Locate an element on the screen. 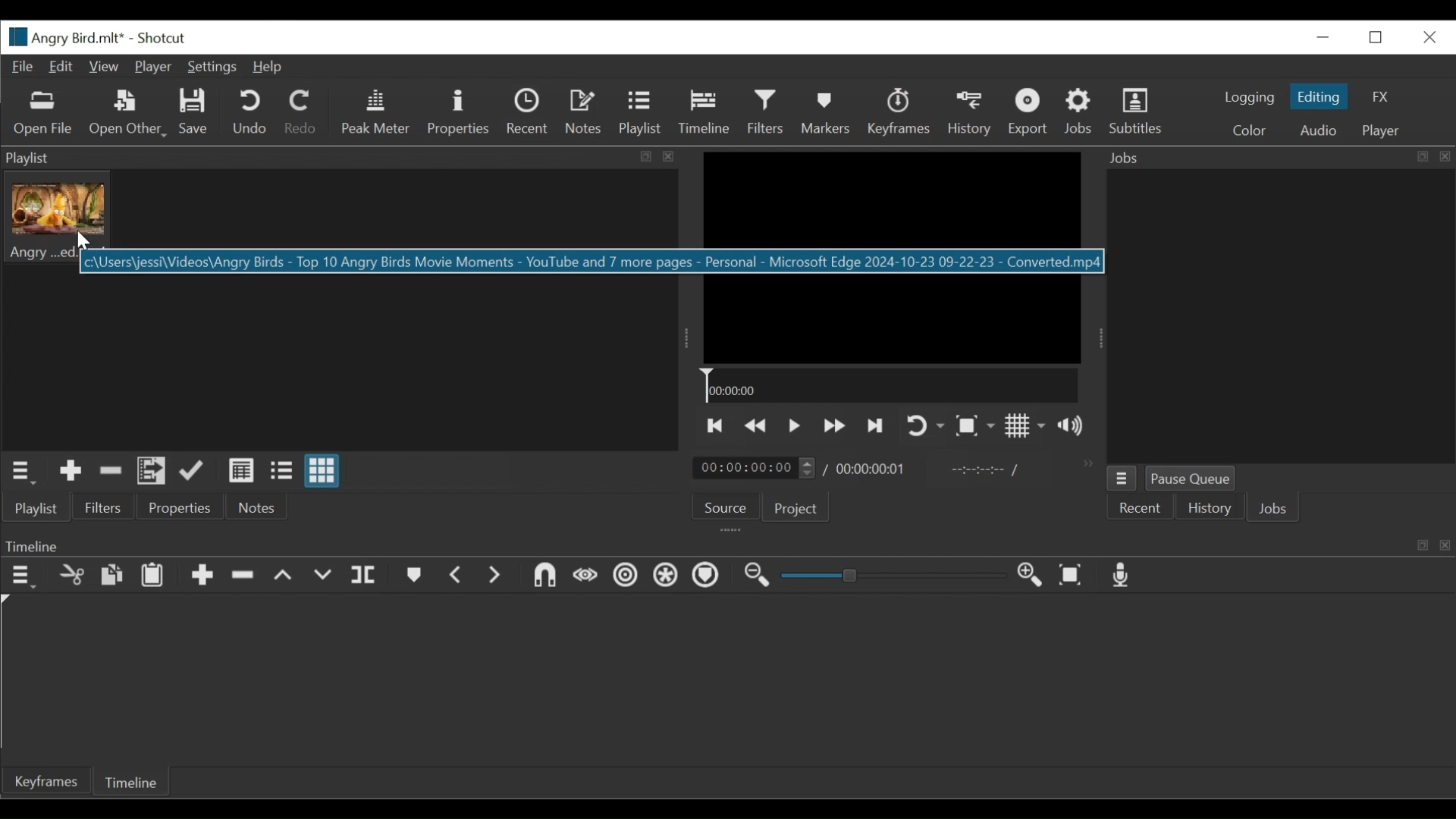  View as icons is located at coordinates (322, 470).